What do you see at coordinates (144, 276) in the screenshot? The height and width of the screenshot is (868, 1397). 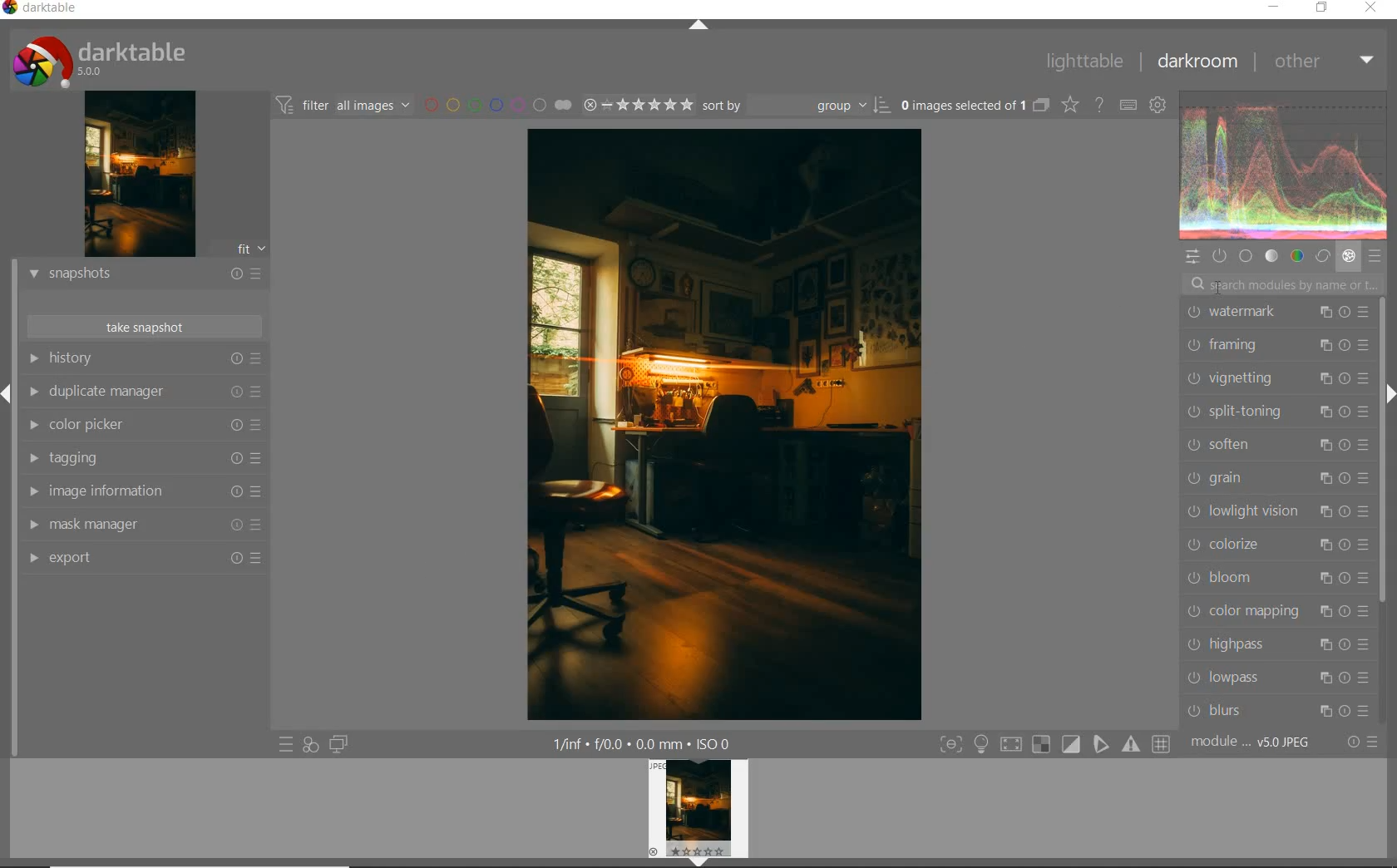 I see `snapshots` at bounding box center [144, 276].